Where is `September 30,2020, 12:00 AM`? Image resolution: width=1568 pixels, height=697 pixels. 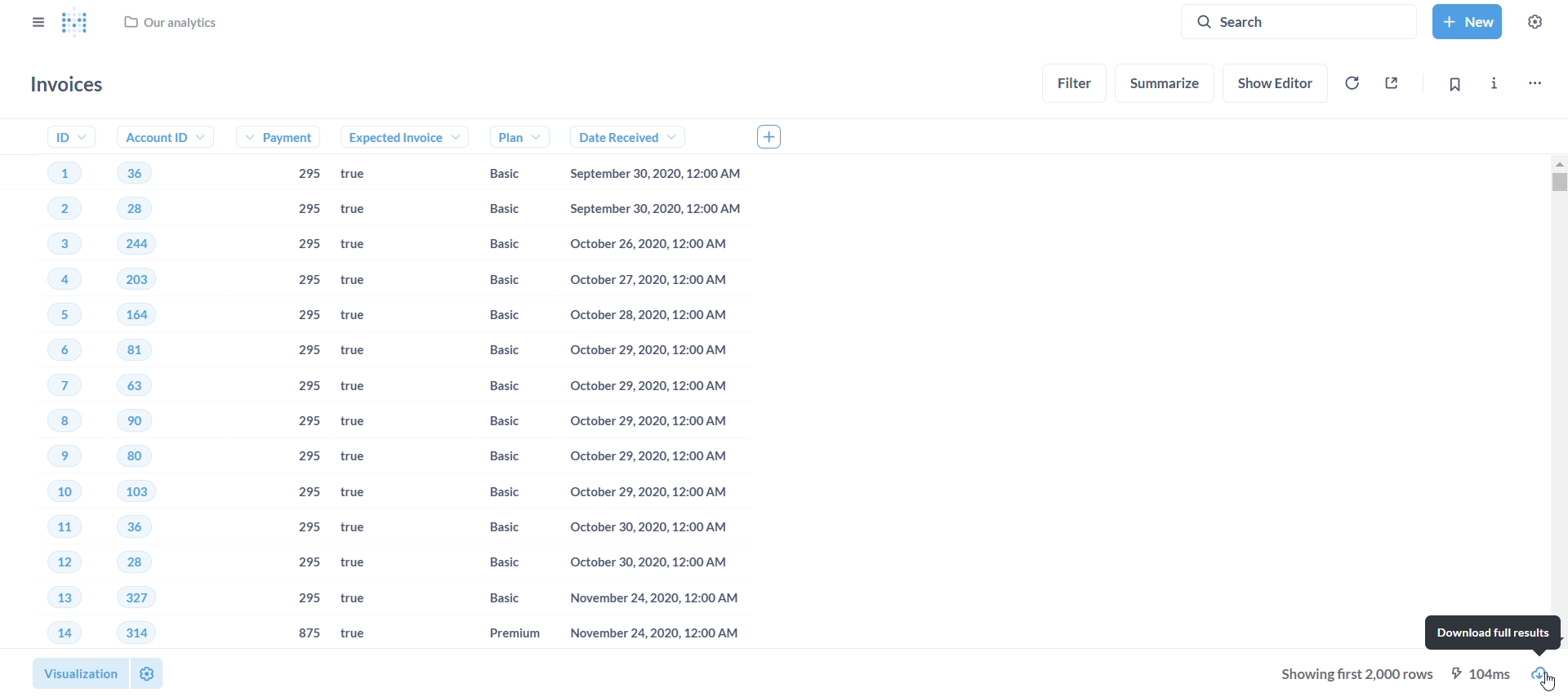
September 30,2020, 12:00 AM is located at coordinates (660, 209).